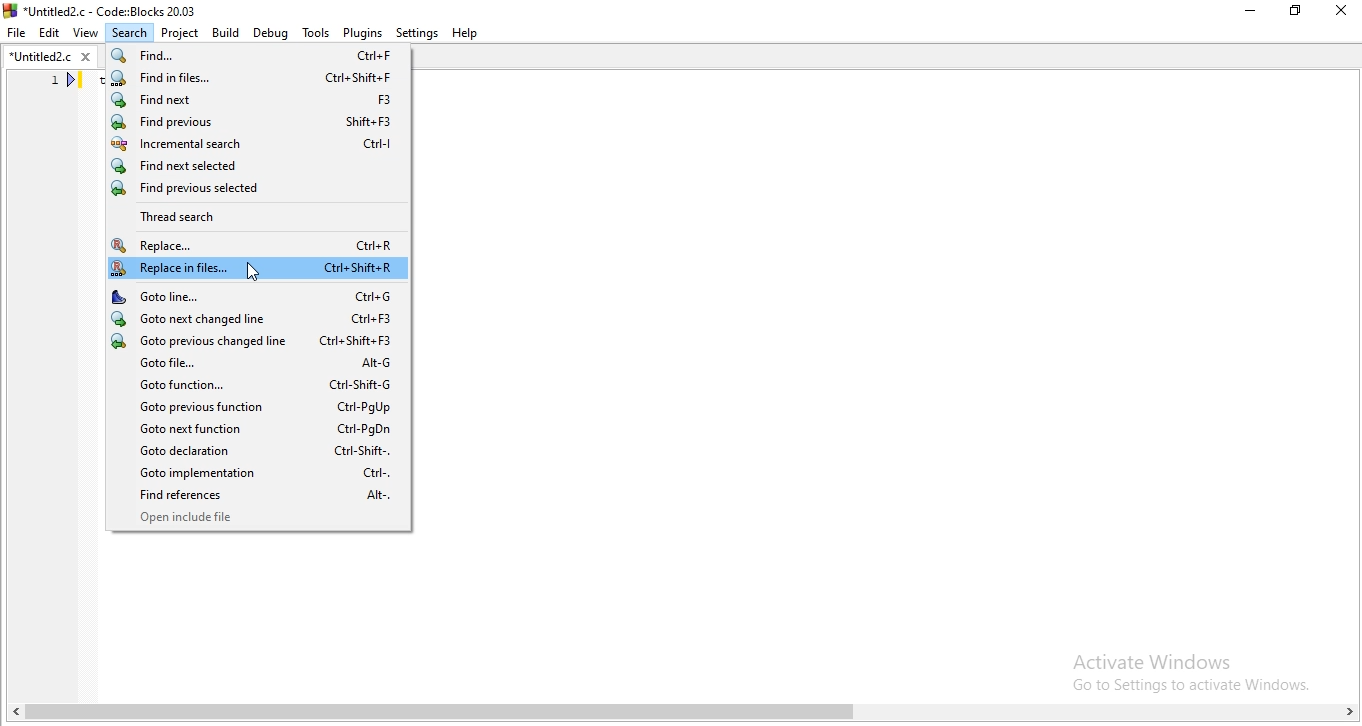 Image resolution: width=1362 pixels, height=726 pixels. What do you see at coordinates (361, 34) in the screenshot?
I see `Plugins ` at bounding box center [361, 34].